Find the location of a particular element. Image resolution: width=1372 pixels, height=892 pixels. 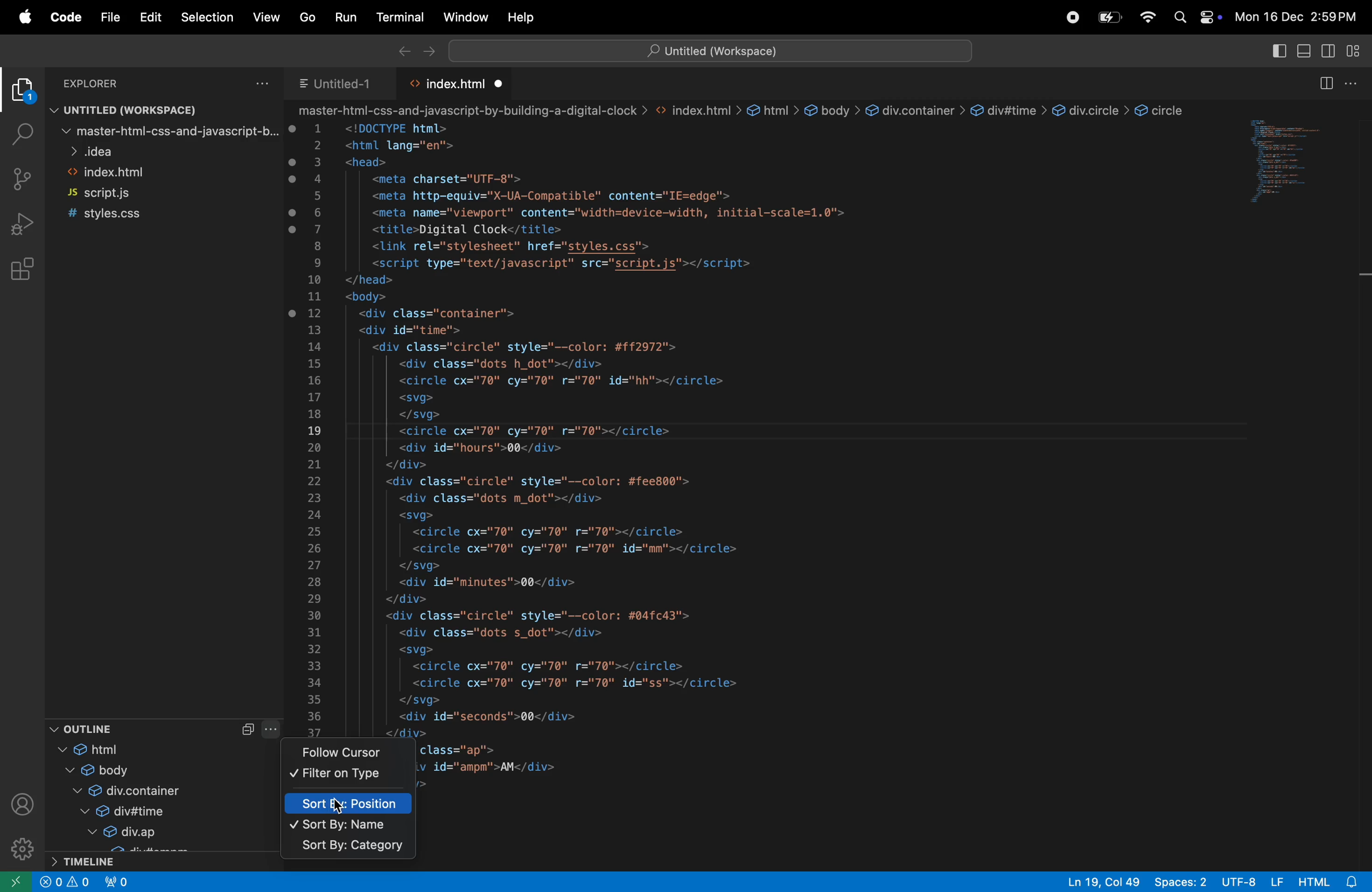

Mon 16 Dec 2:59 PM is located at coordinates (1298, 18).